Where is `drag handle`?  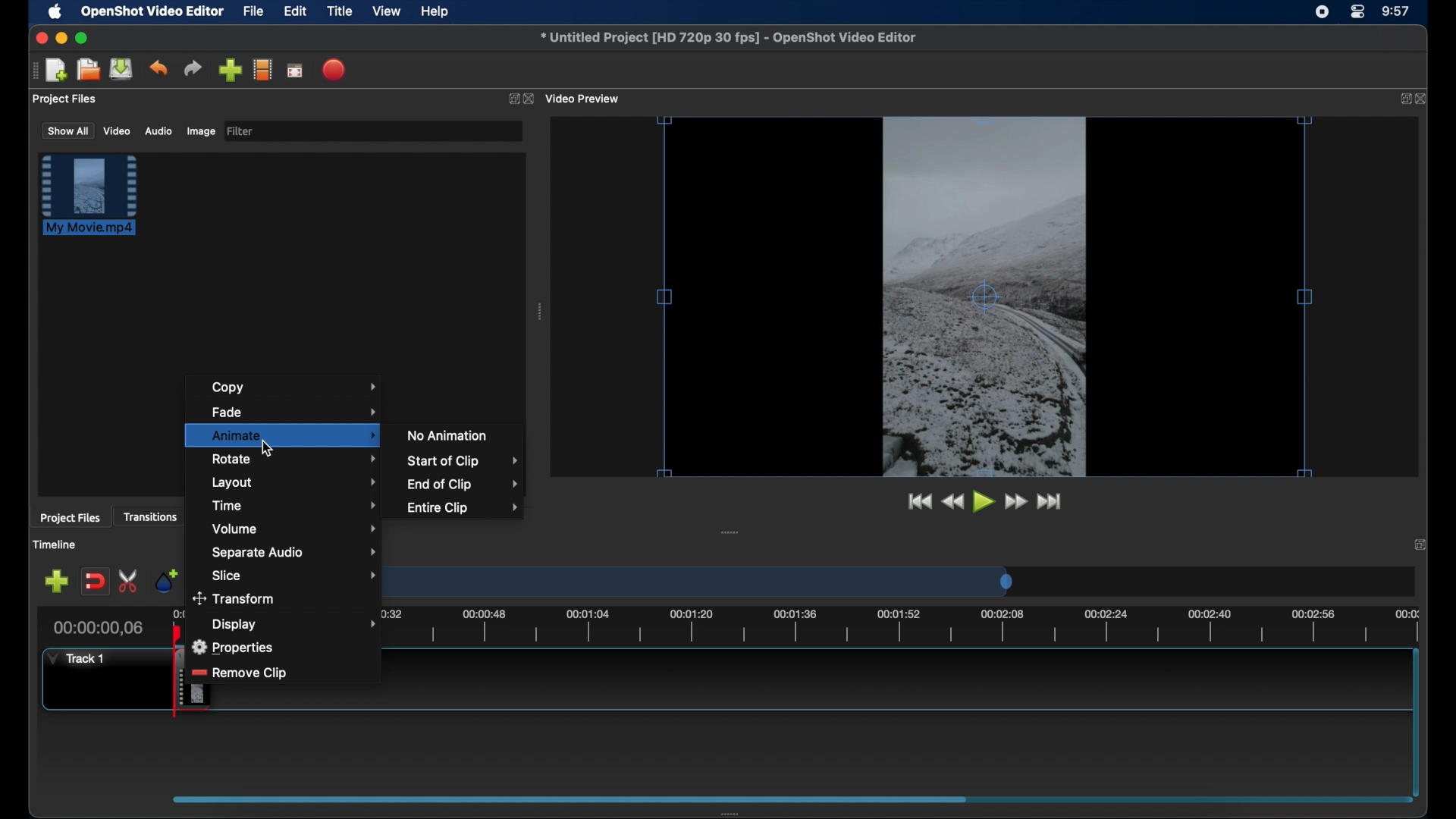 drag handle is located at coordinates (730, 532).